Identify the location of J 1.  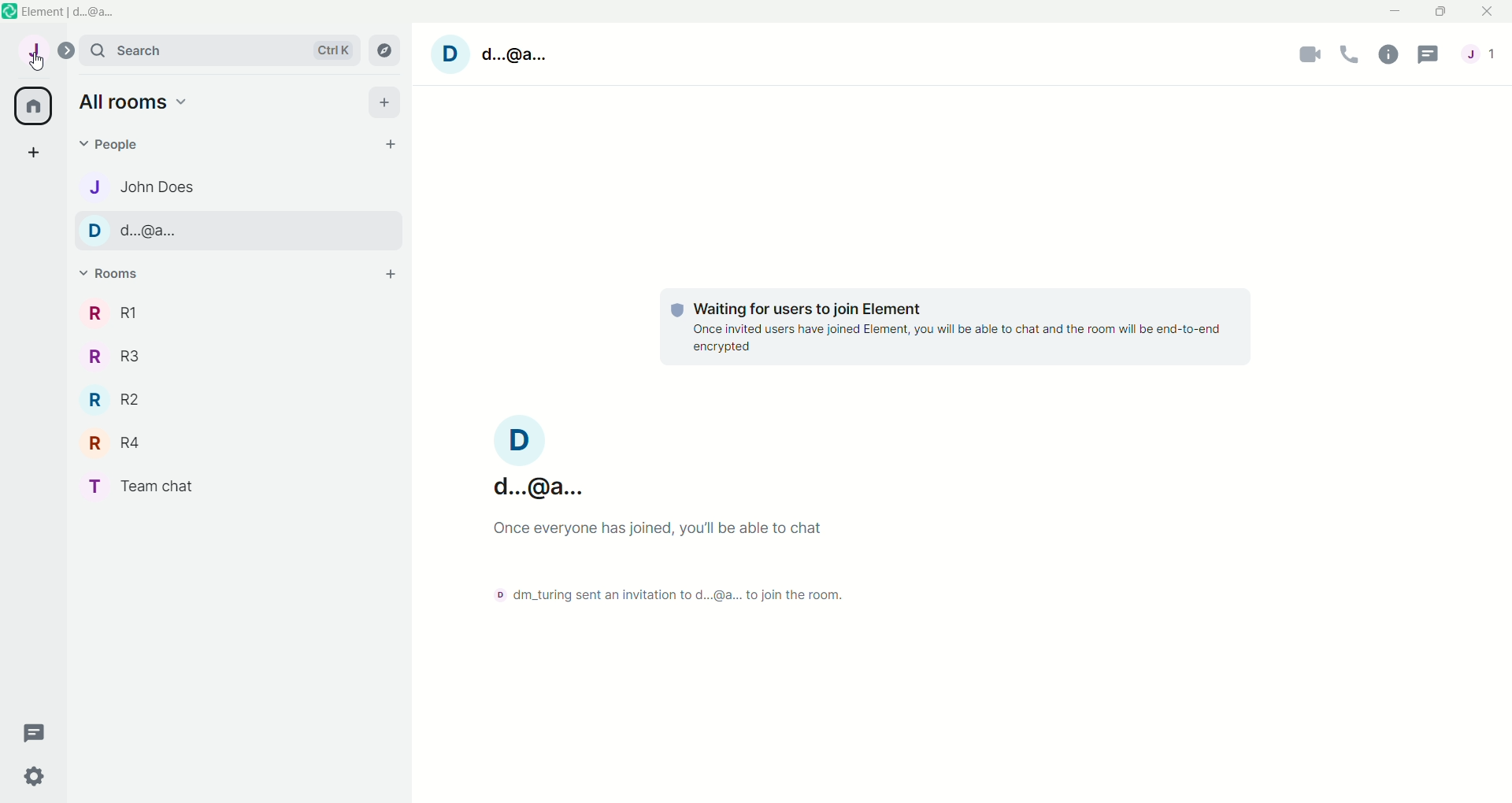
(1479, 53).